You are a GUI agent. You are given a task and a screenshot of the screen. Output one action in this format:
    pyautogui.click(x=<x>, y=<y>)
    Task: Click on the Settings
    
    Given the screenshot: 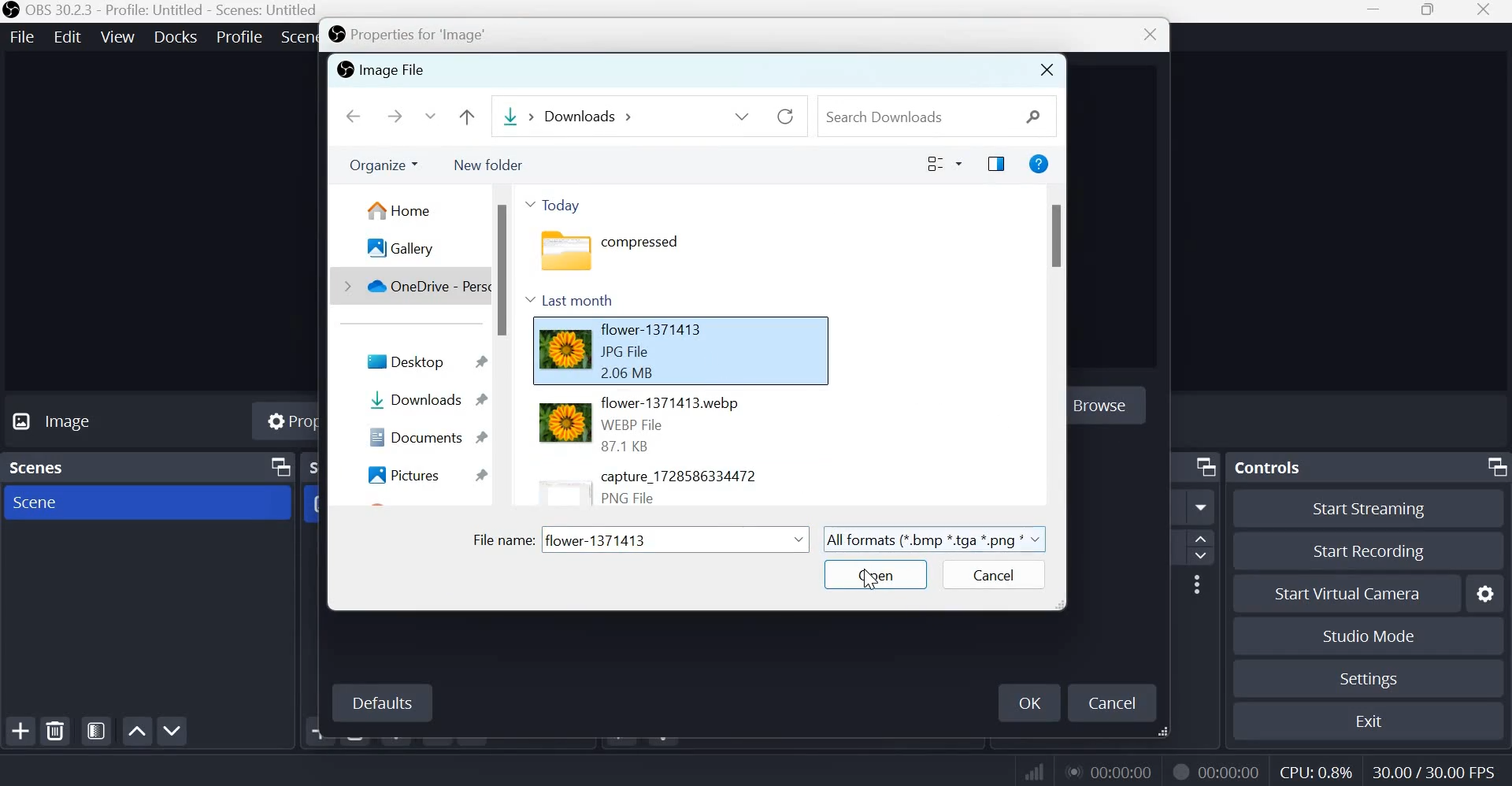 What is the action you would take?
    pyautogui.click(x=1369, y=679)
    